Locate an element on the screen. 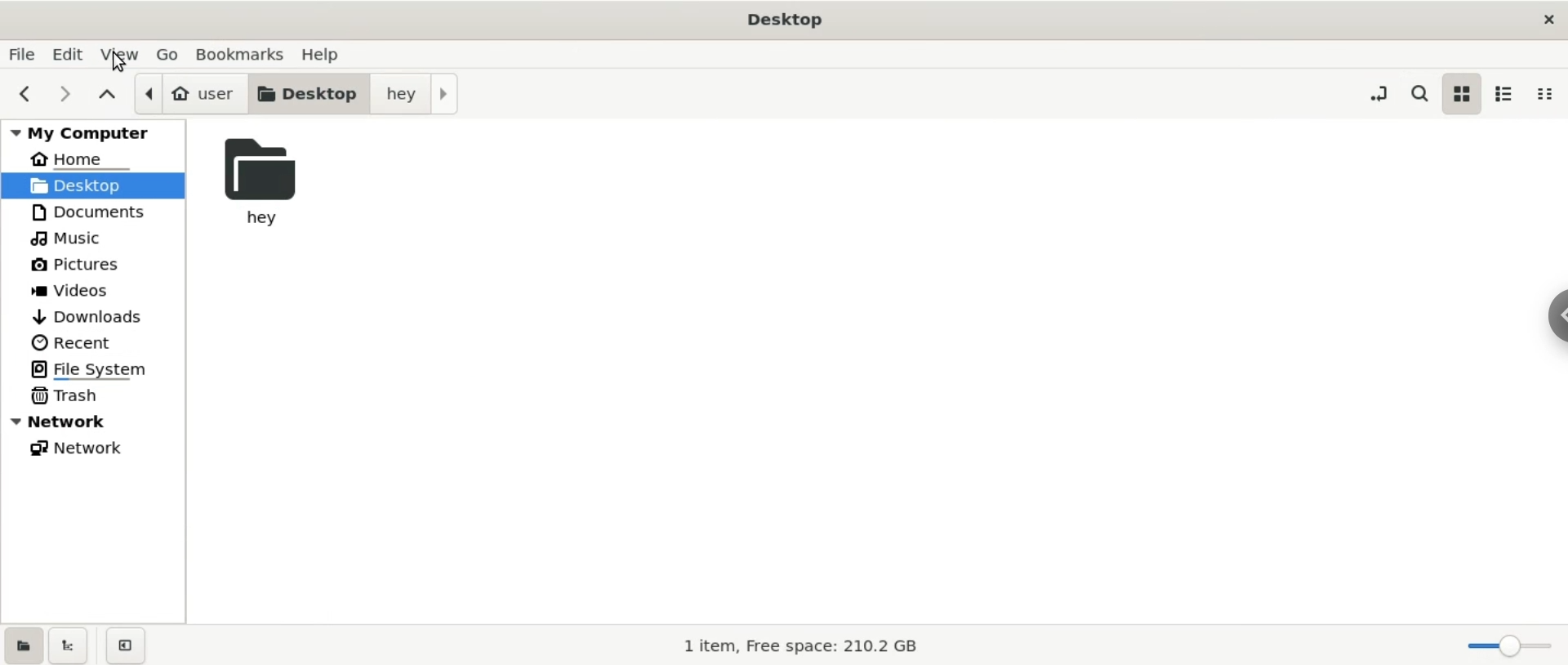  icon view is located at coordinates (1461, 96).